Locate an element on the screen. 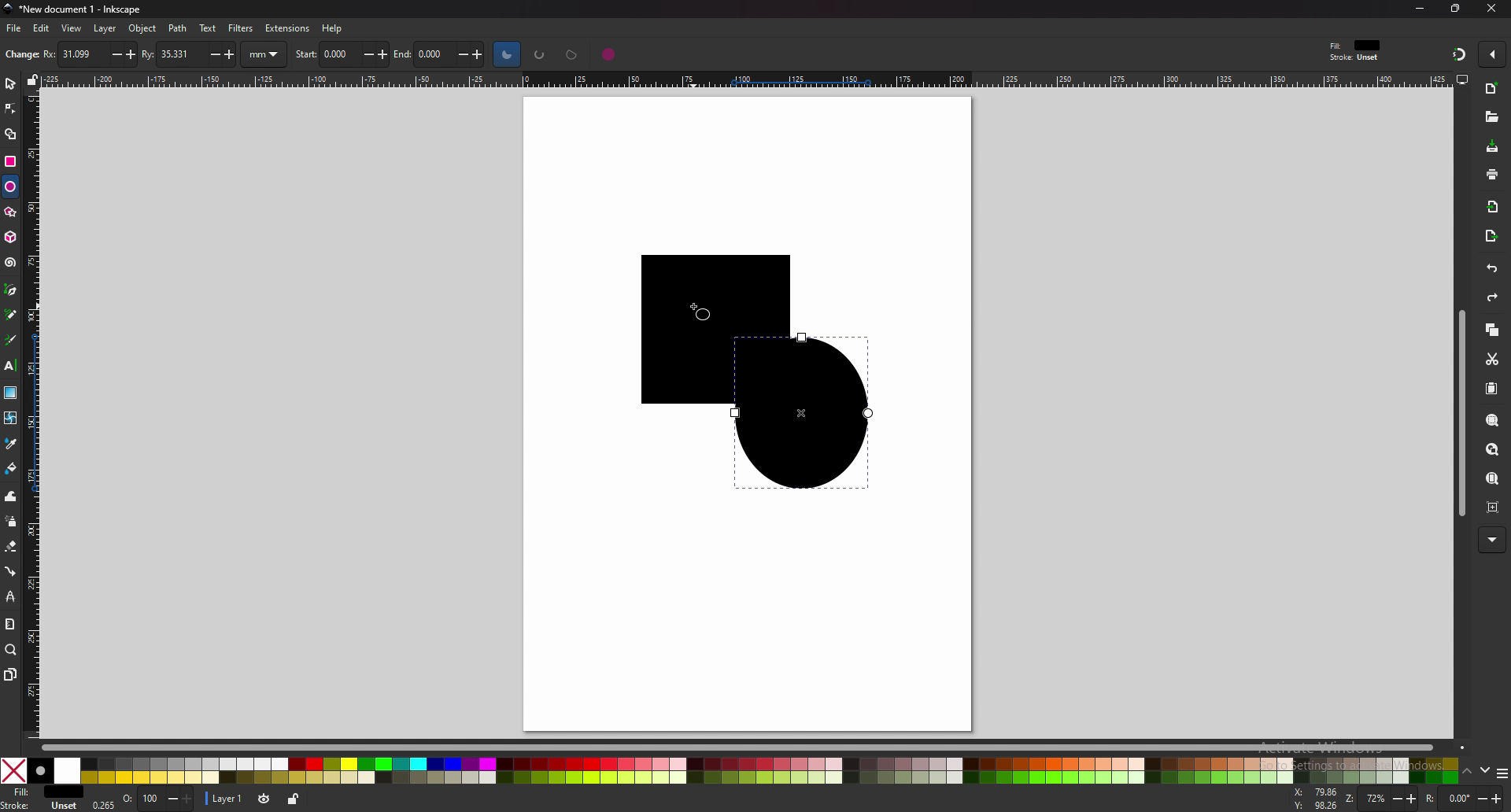 The width and height of the screenshot is (1511, 812). layer is located at coordinates (106, 29).